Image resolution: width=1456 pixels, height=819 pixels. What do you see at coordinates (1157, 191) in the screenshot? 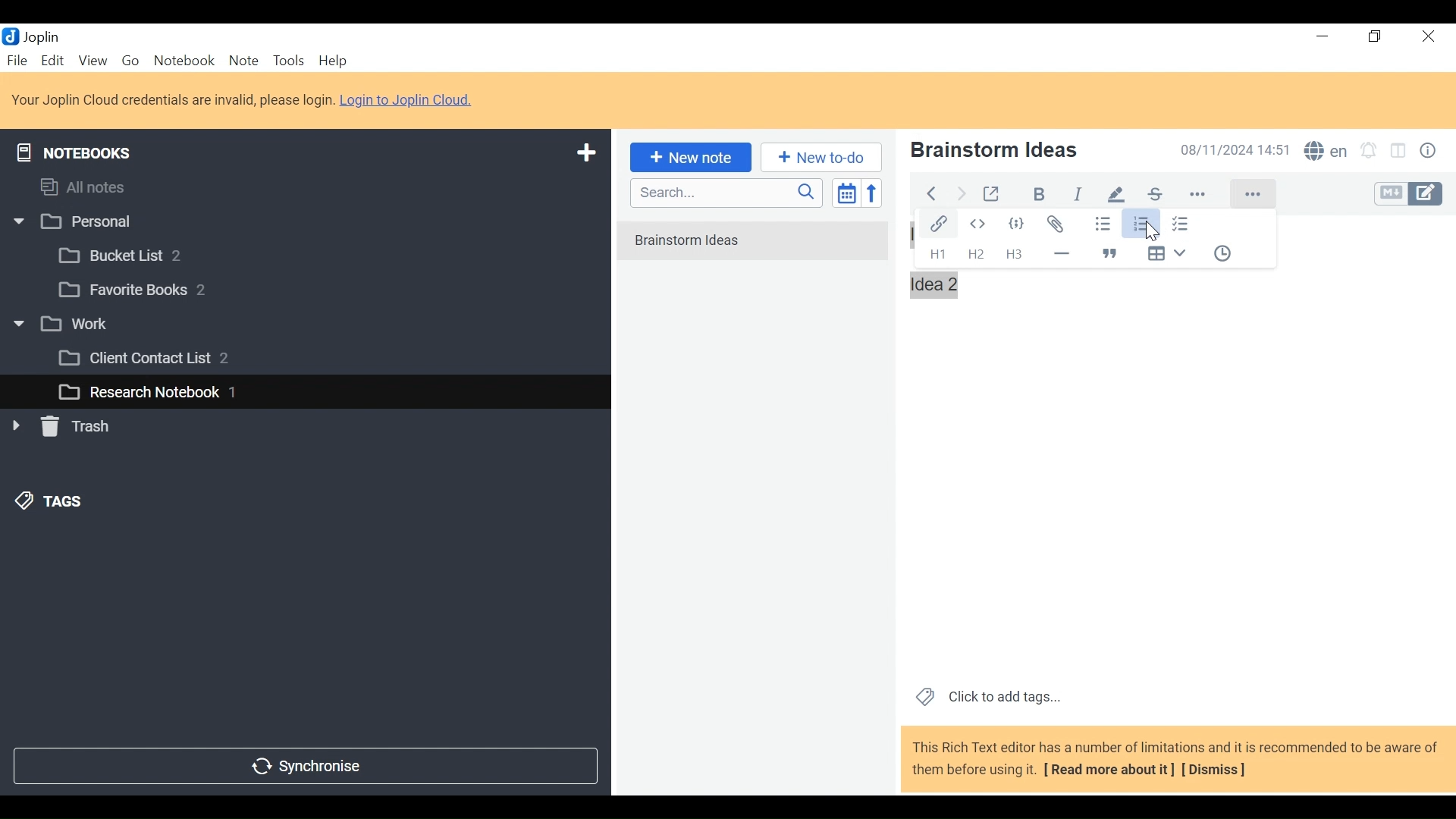
I see `strikethrough` at bounding box center [1157, 191].